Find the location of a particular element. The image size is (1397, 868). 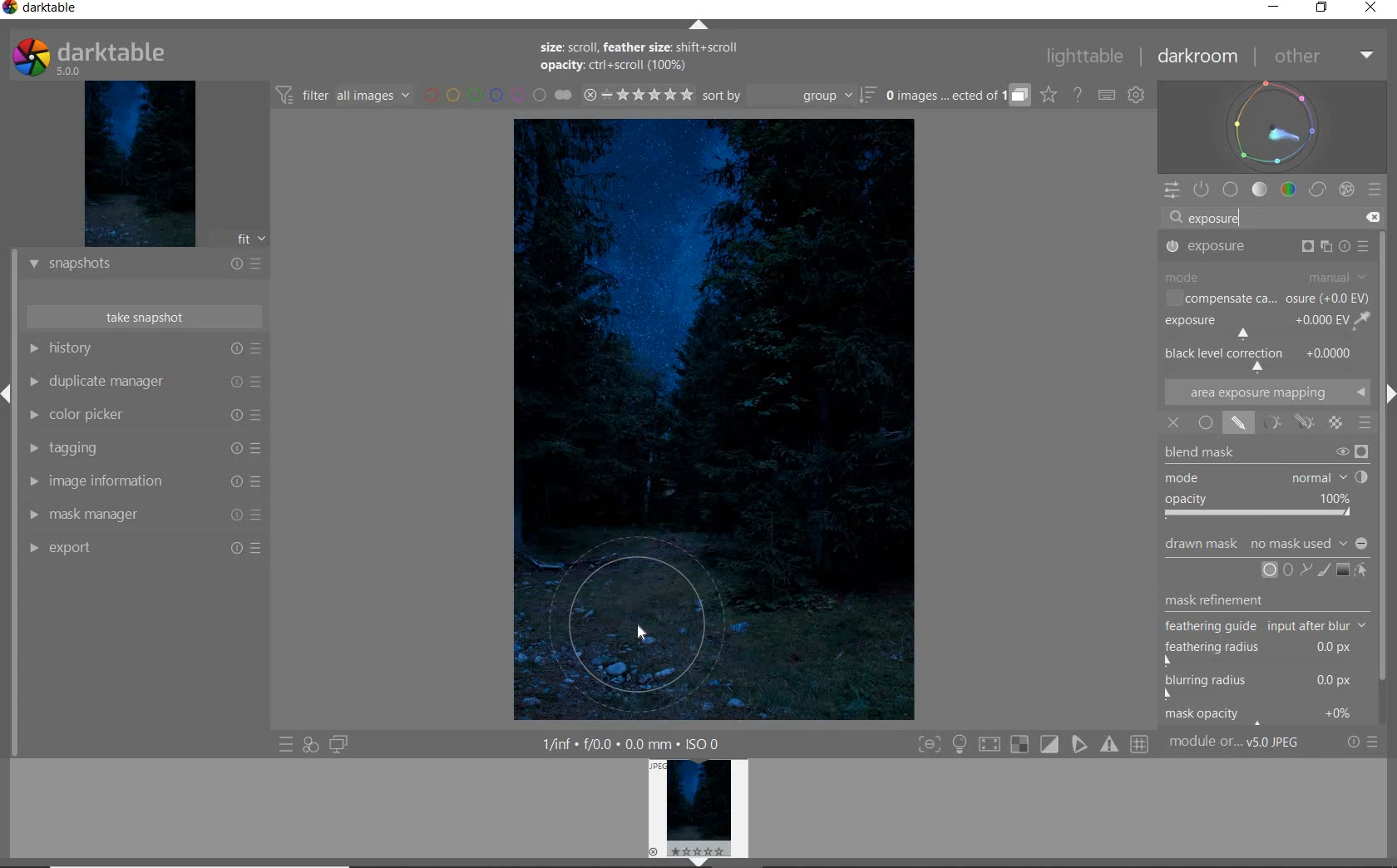

EXPAND GROUPED IMAGES is located at coordinates (958, 94).